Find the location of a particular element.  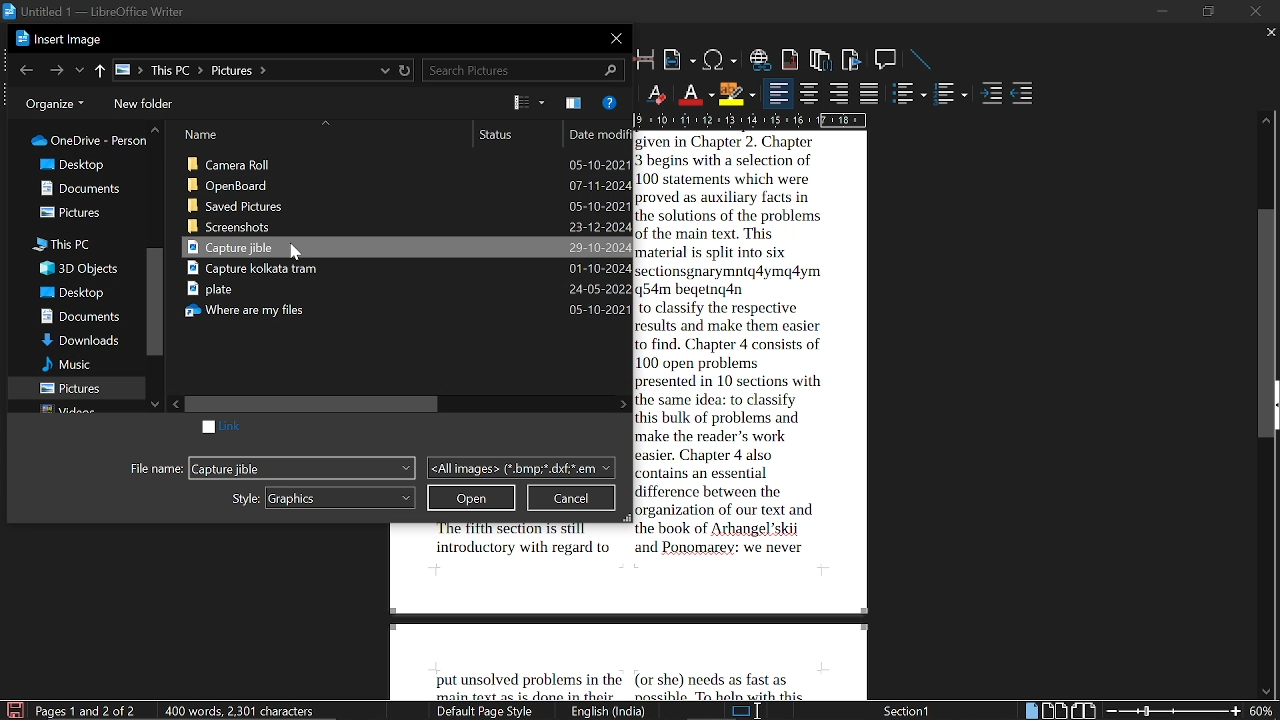

Untitled 1 - LibreOffice Writer is located at coordinates (97, 11).